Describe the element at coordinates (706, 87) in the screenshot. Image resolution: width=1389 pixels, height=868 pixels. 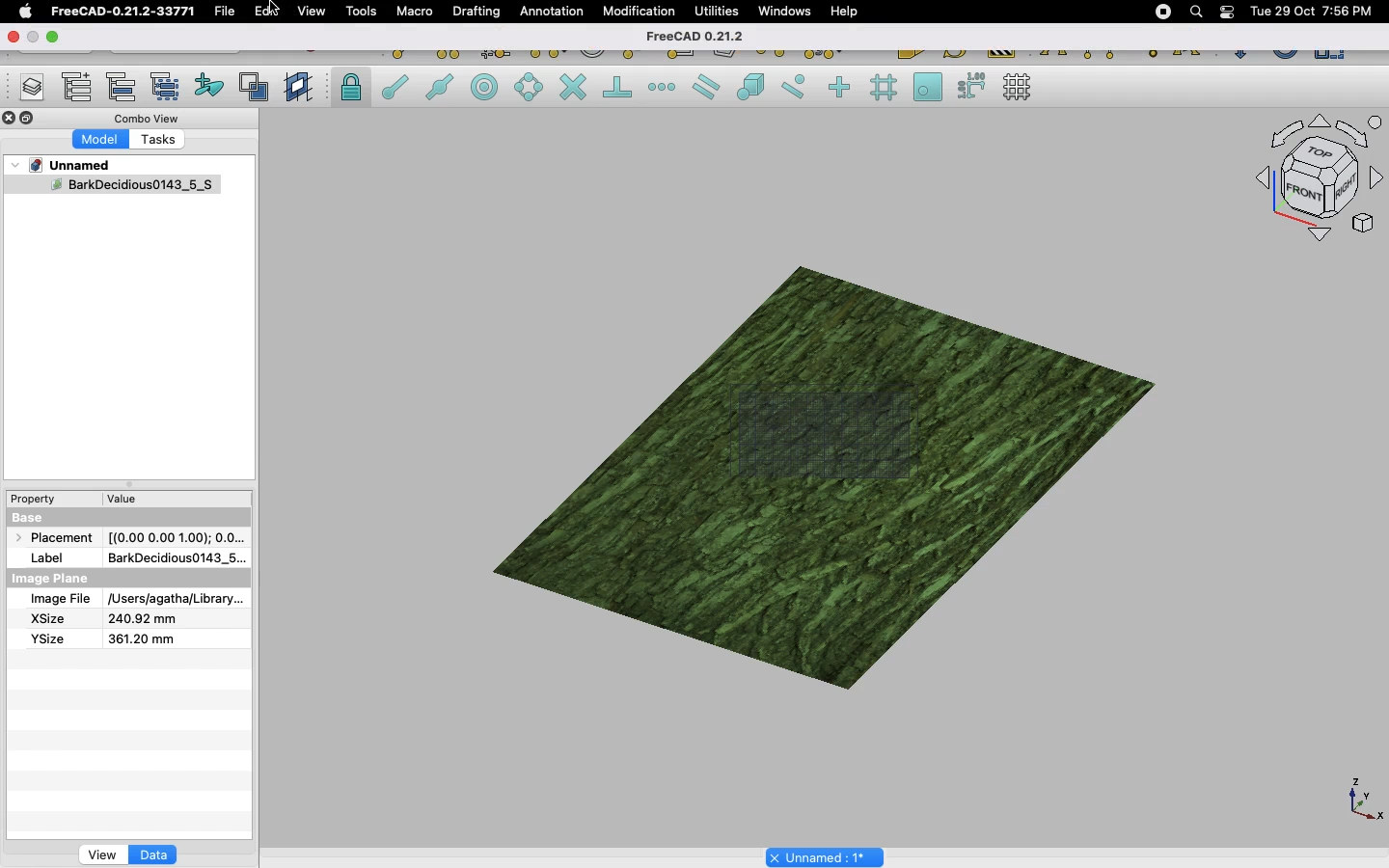
I see `Snap parallel` at that location.